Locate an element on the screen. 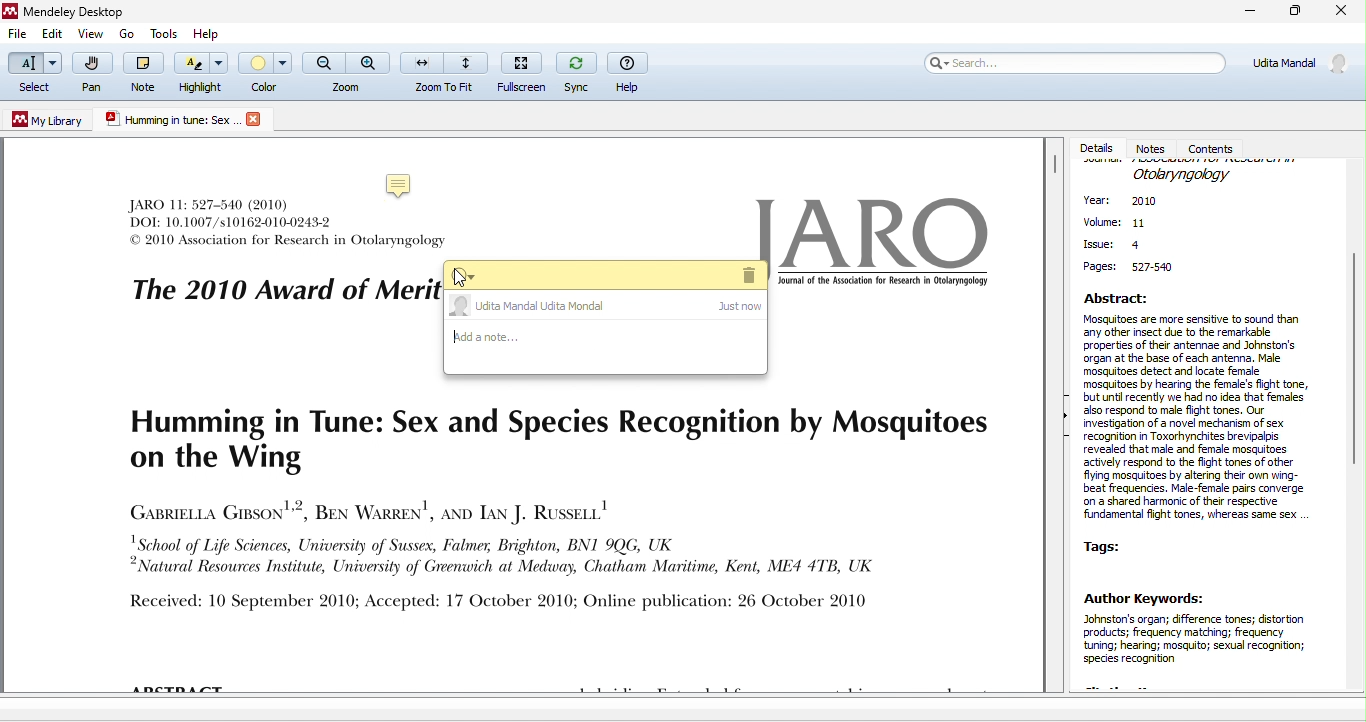  text is located at coordinates (571, 514).